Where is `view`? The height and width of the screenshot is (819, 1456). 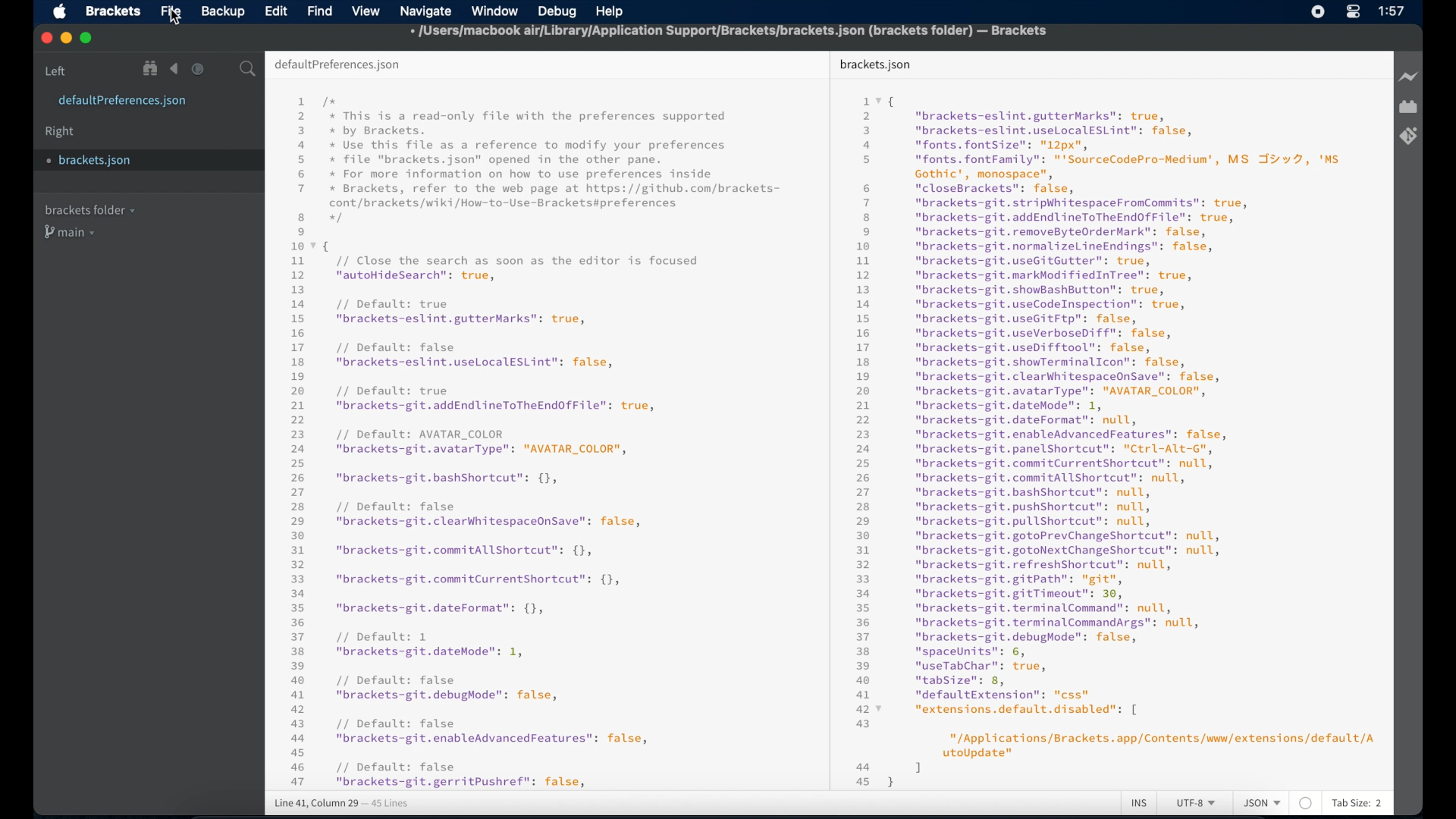
view is located at coordinates (366, 11).